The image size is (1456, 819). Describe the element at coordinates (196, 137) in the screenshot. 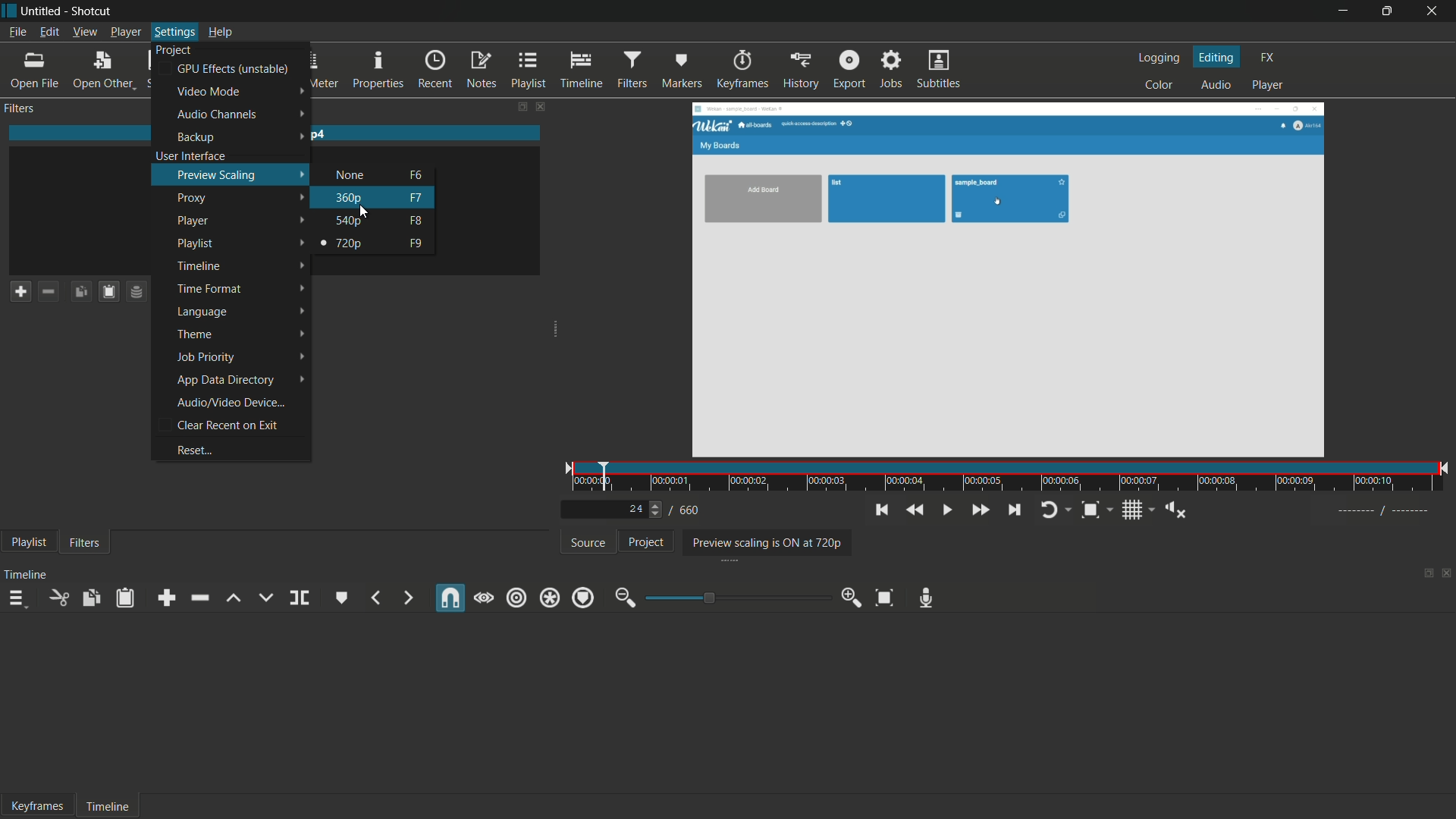

I see `backup` at that location.